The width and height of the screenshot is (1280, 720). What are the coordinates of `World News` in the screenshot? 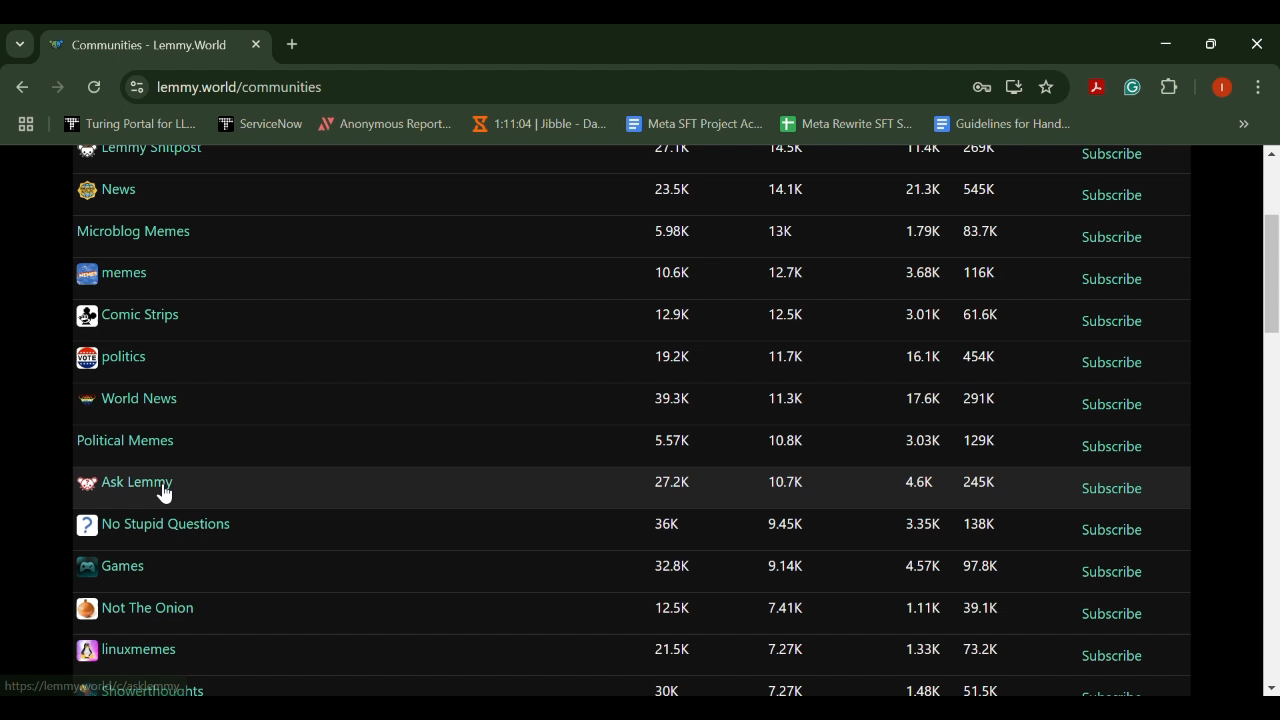 It's located at (127, 399).